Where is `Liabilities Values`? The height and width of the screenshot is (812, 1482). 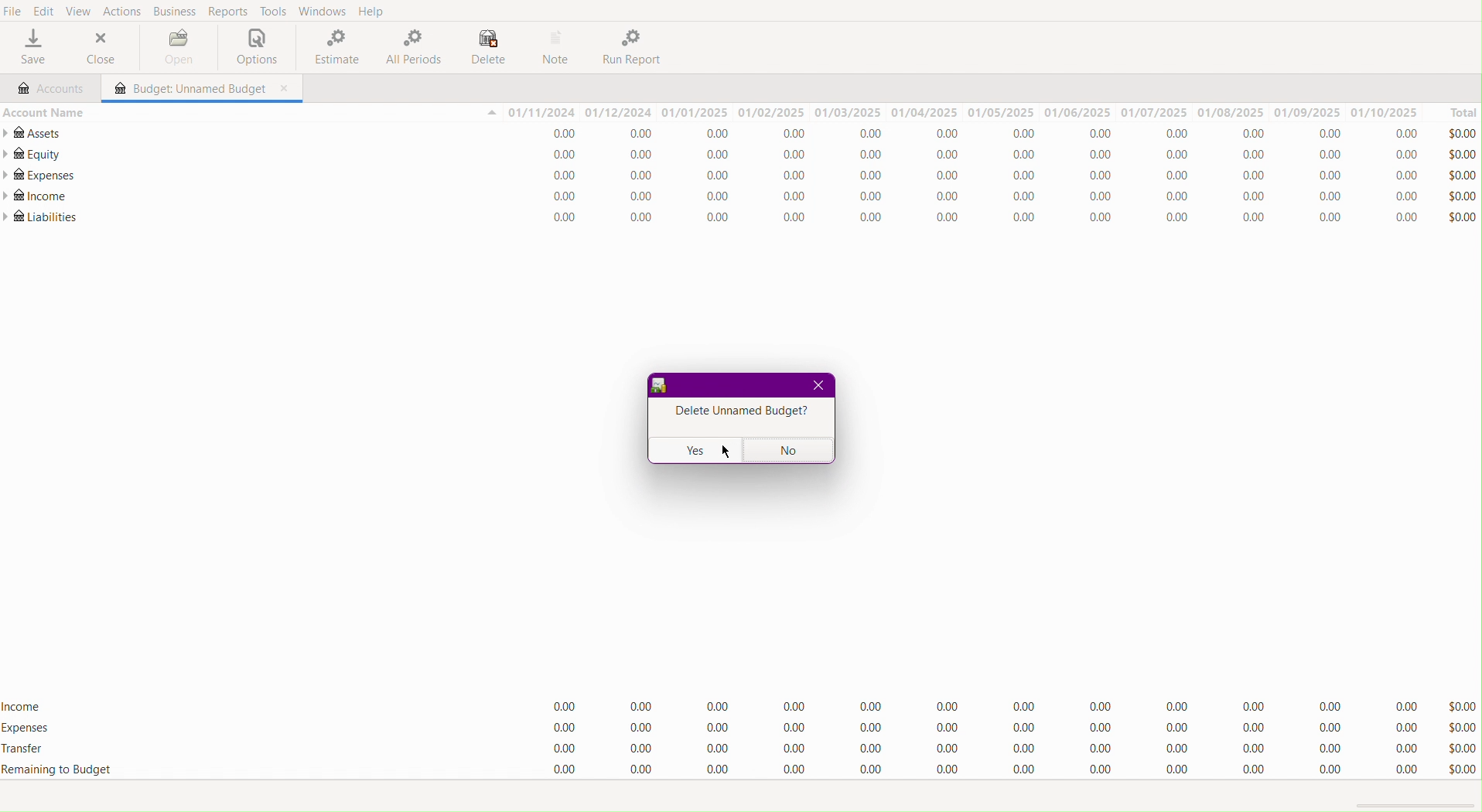
Liabilities Values is located at coordinates (982, 218).